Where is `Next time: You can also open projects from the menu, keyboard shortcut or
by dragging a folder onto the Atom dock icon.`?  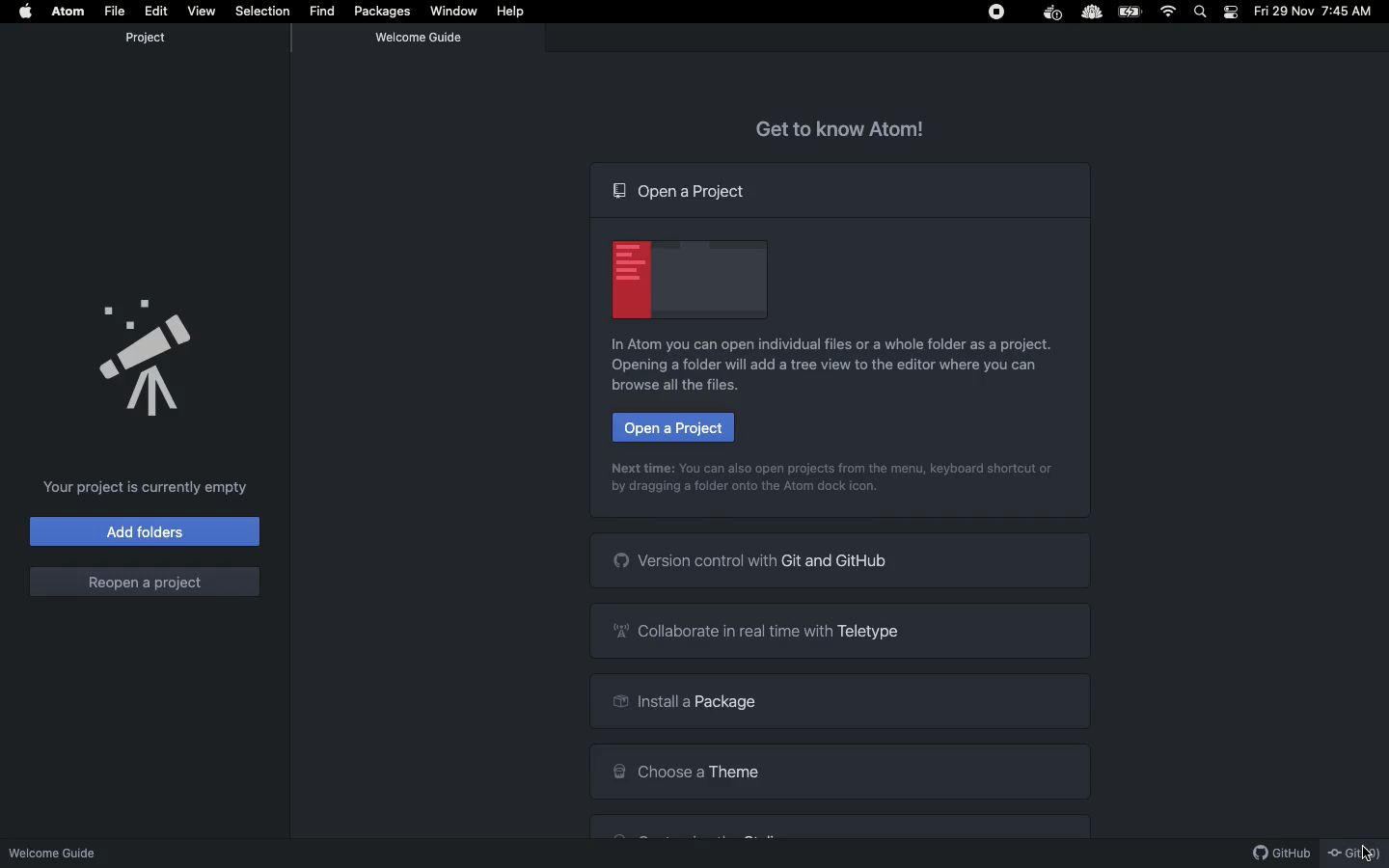
Next time: You can also open projects from the menu, keyboard shortcut or
by dragging a folder onto the Atom dock icon. is located at coordinates (835, 479).